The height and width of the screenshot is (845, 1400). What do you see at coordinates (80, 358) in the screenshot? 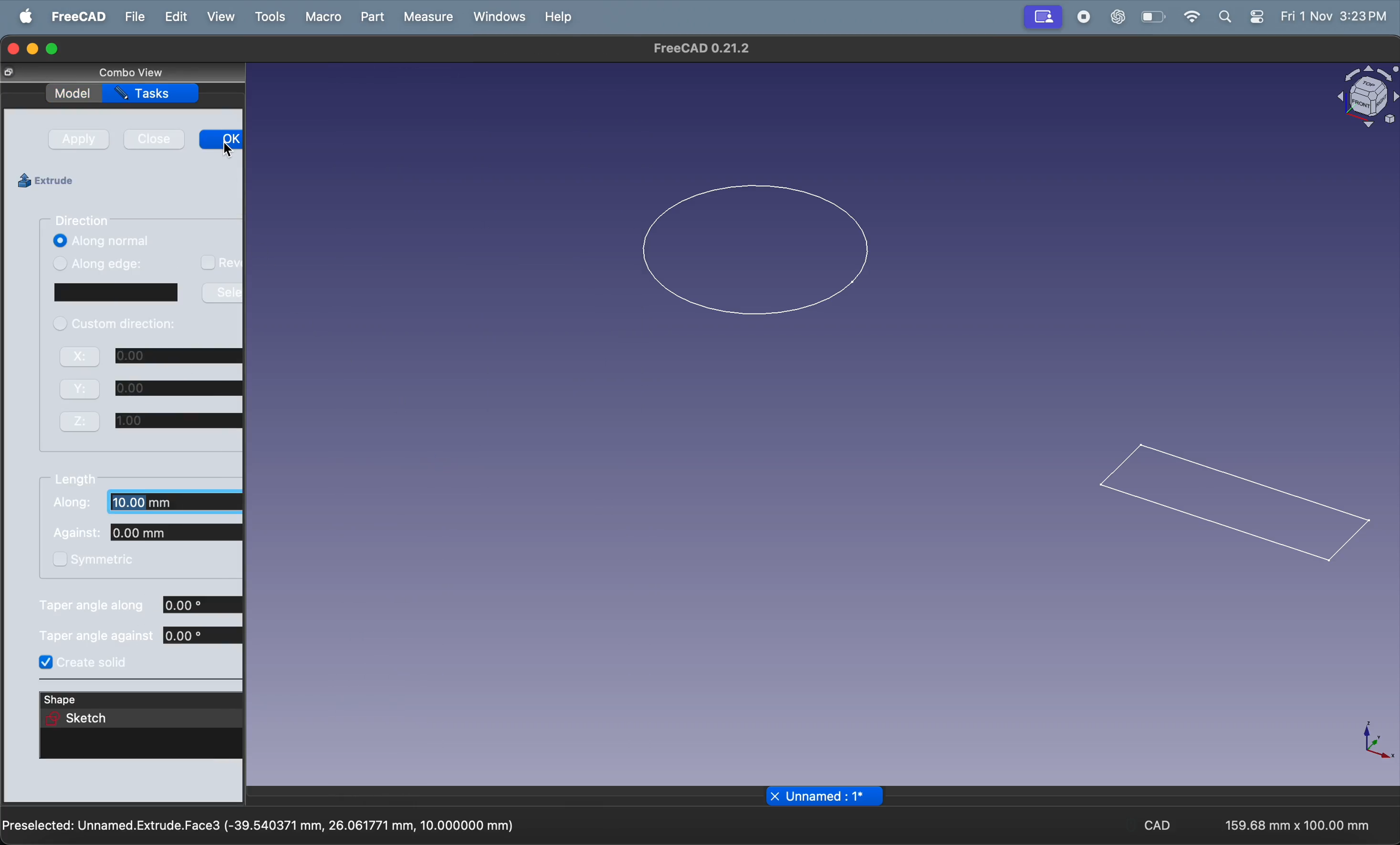
I see `X:` at bounding box center [80, 358].